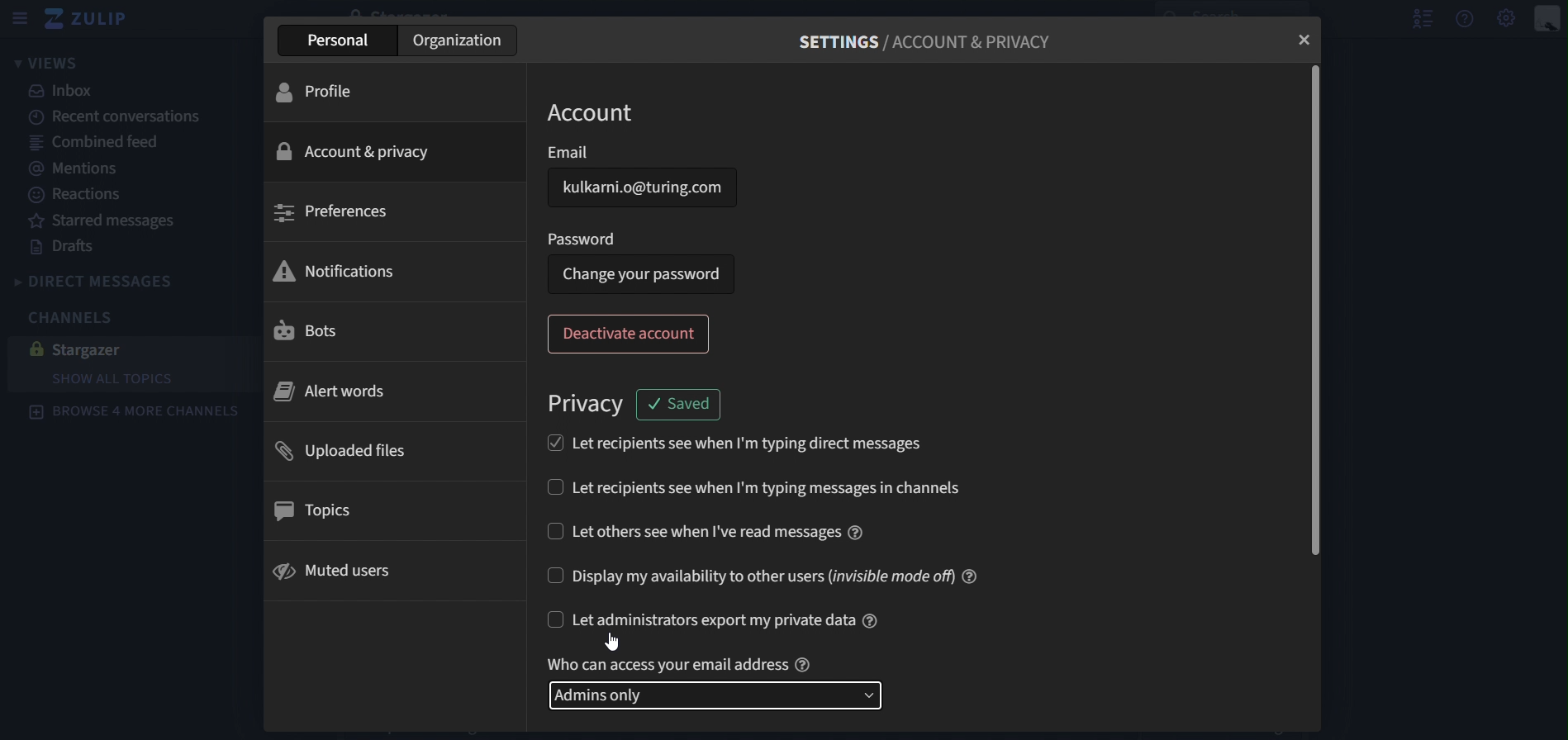  Describe the element at coordinates (1316, 309) in the screenshot. I see `scrollbar` at that location.